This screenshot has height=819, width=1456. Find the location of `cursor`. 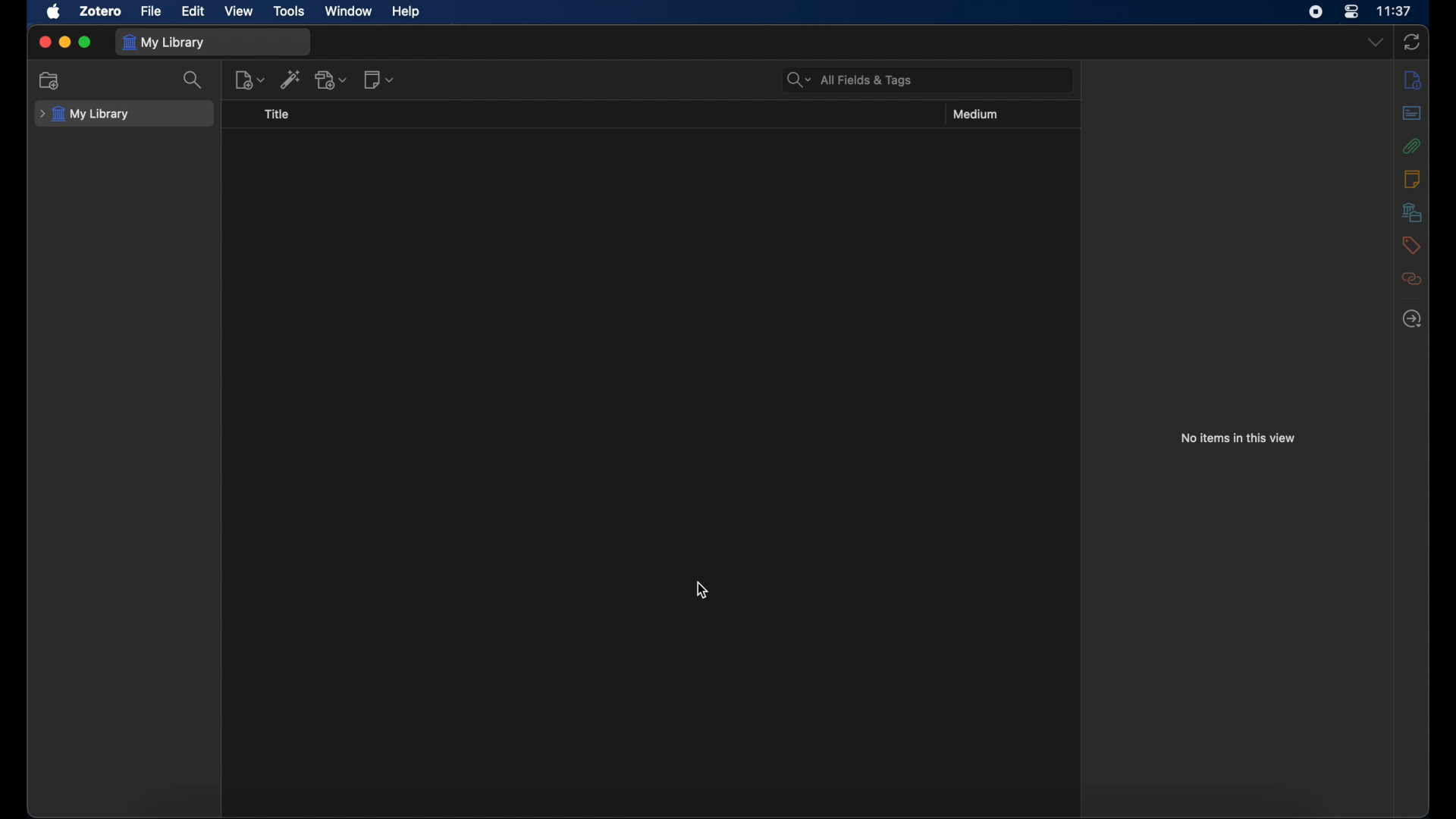

cursor is located at coordinates (702, 590).